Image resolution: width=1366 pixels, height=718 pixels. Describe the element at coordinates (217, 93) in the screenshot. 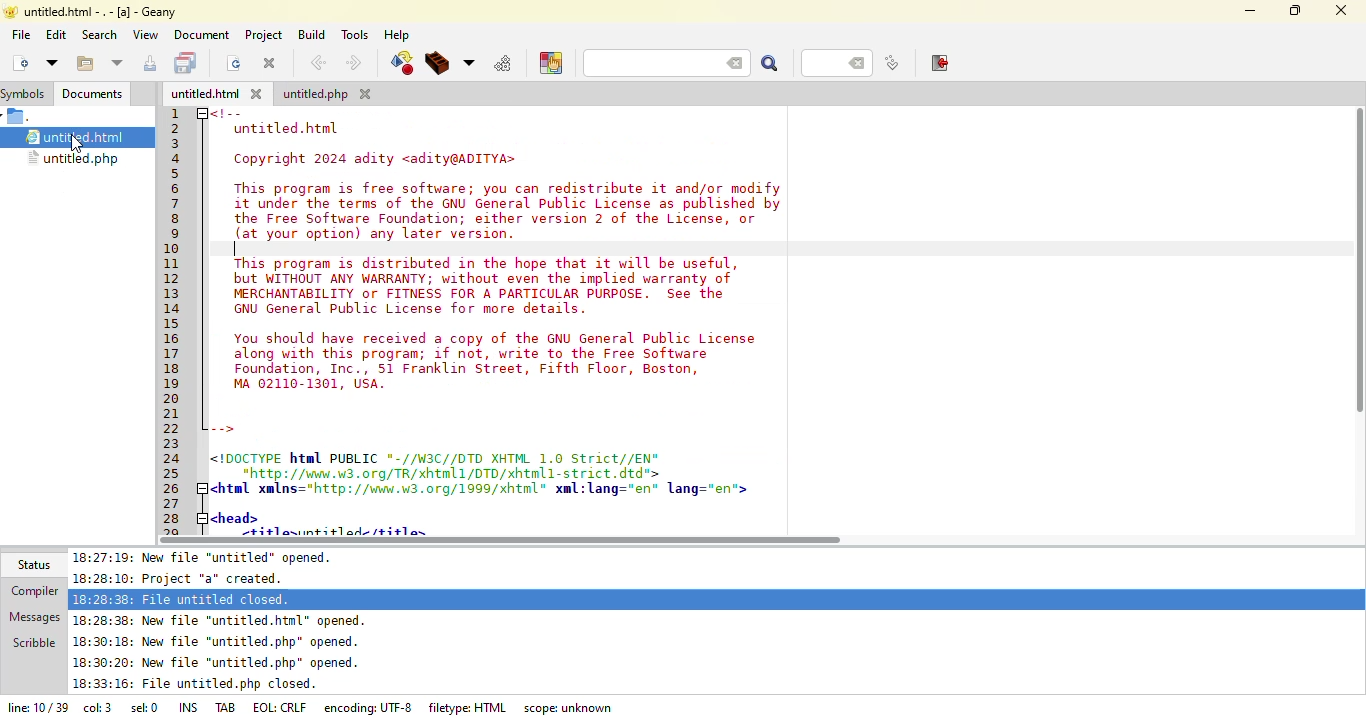

I see `untitled. html` at that location.